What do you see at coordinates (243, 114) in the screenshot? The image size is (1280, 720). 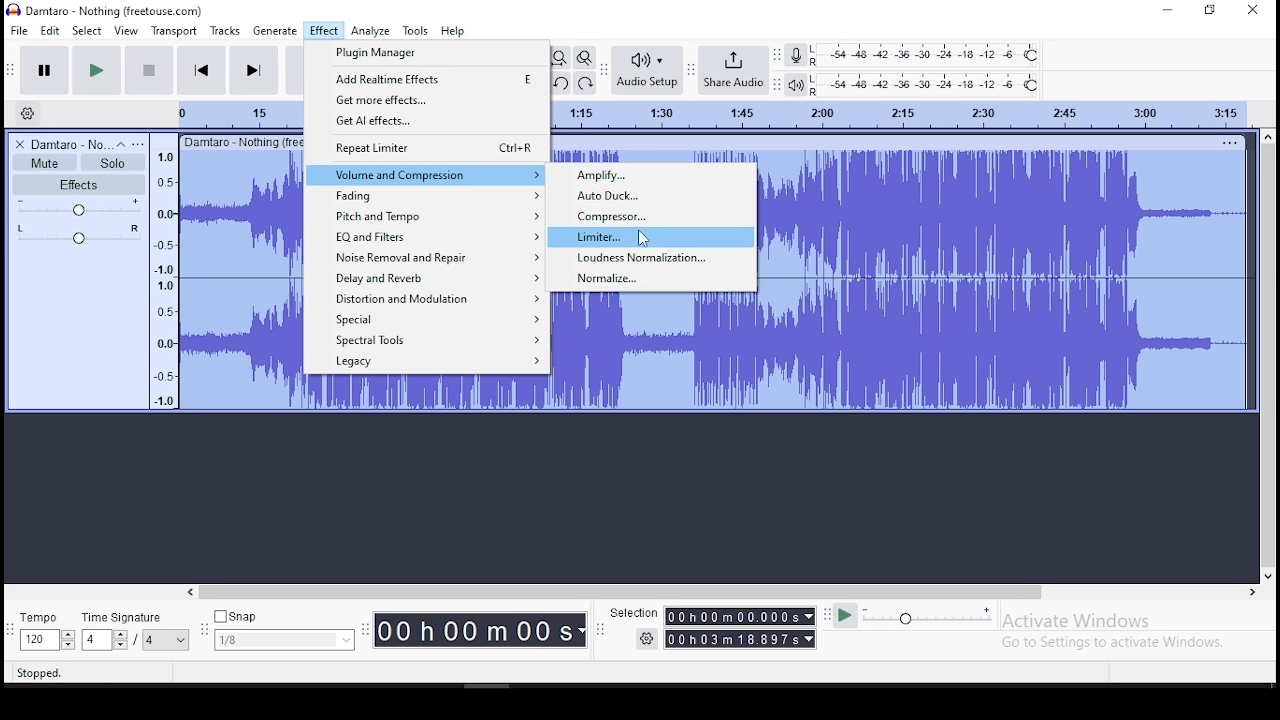 I see `track time` at bounding box center [243, 114].